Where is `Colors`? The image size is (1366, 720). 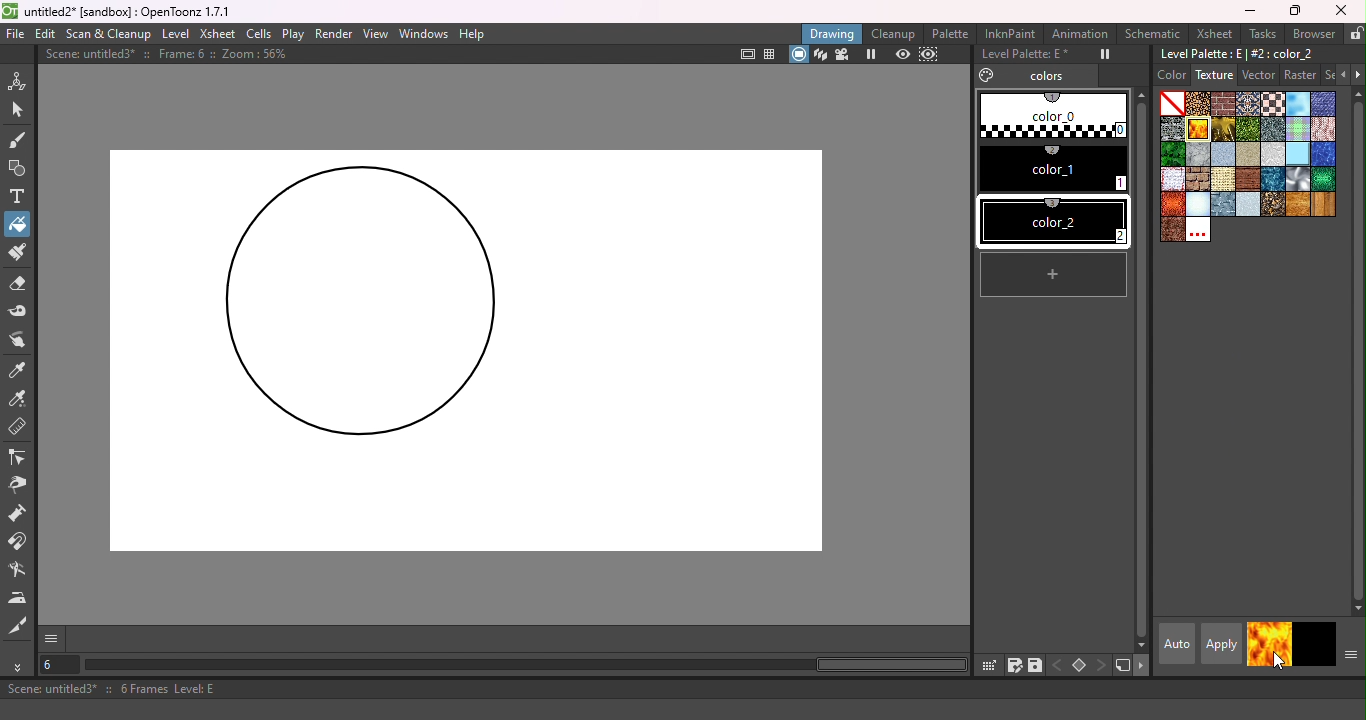
Colors is located at coordinates (1034, 76).